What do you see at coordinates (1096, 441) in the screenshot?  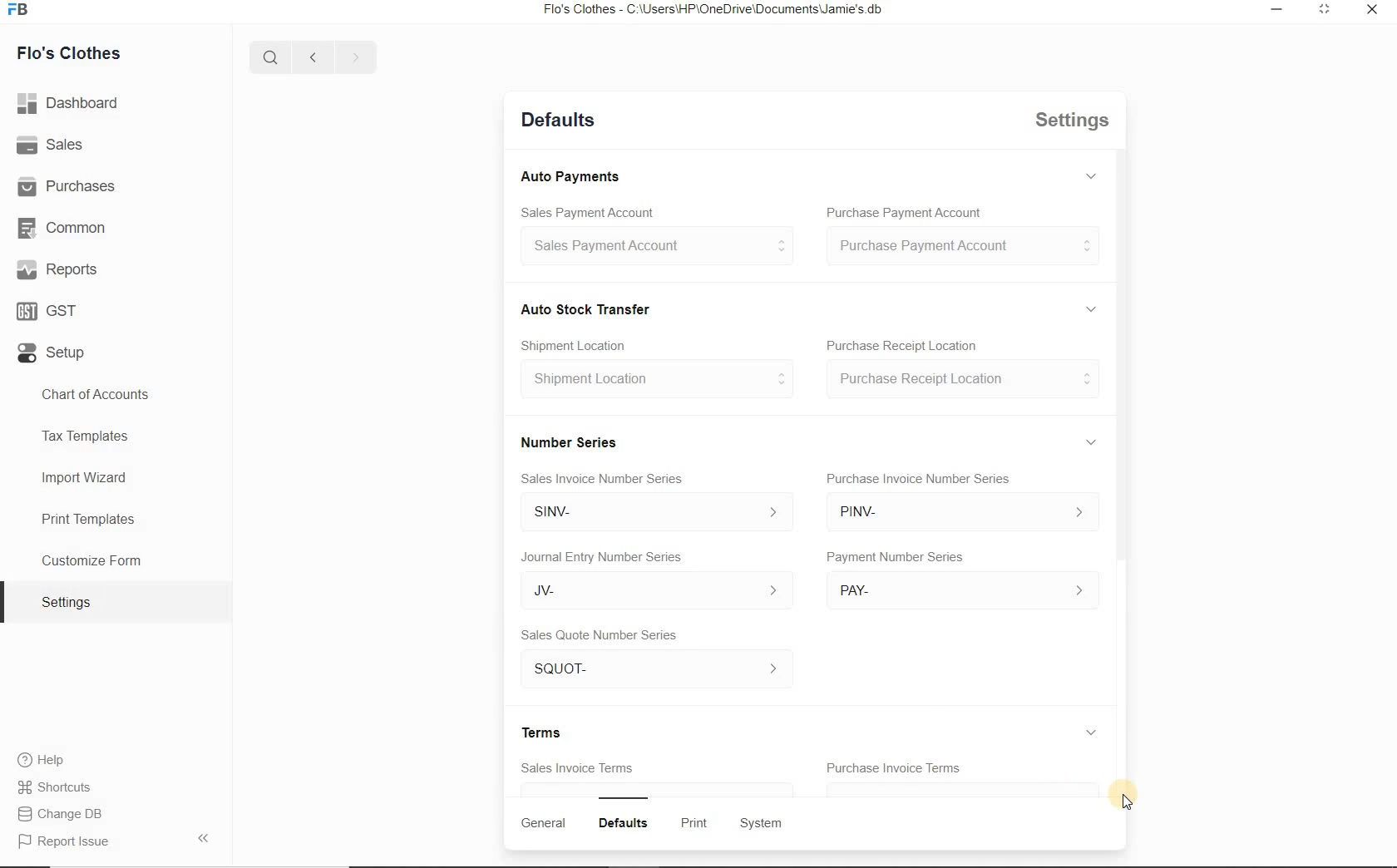 I see `Expand` at bounding box center [1096, 441].